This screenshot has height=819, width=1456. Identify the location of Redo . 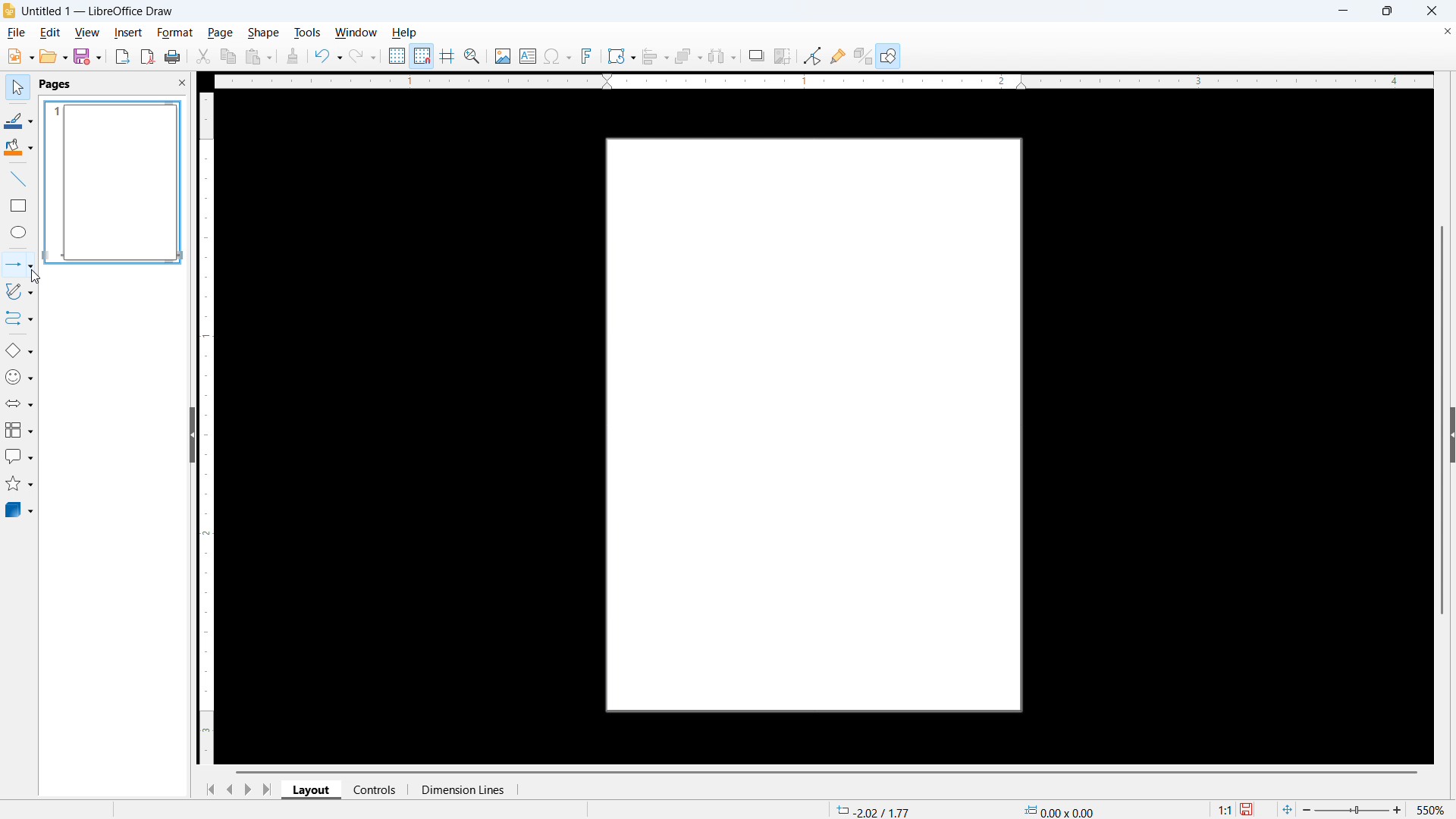
(362, 57).